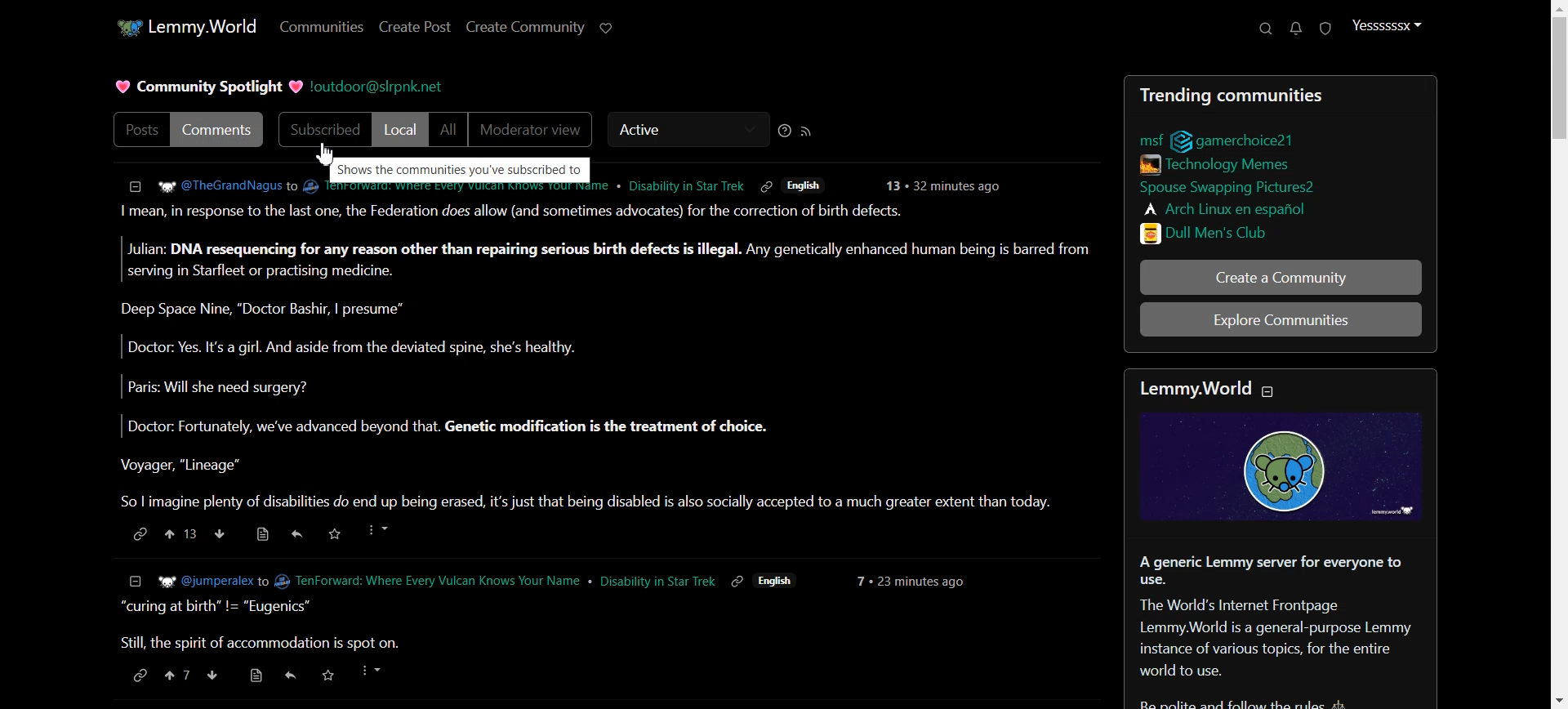  Describe the element at coordinates (221, 128) in the screenshot. I see `Comments` at that location.